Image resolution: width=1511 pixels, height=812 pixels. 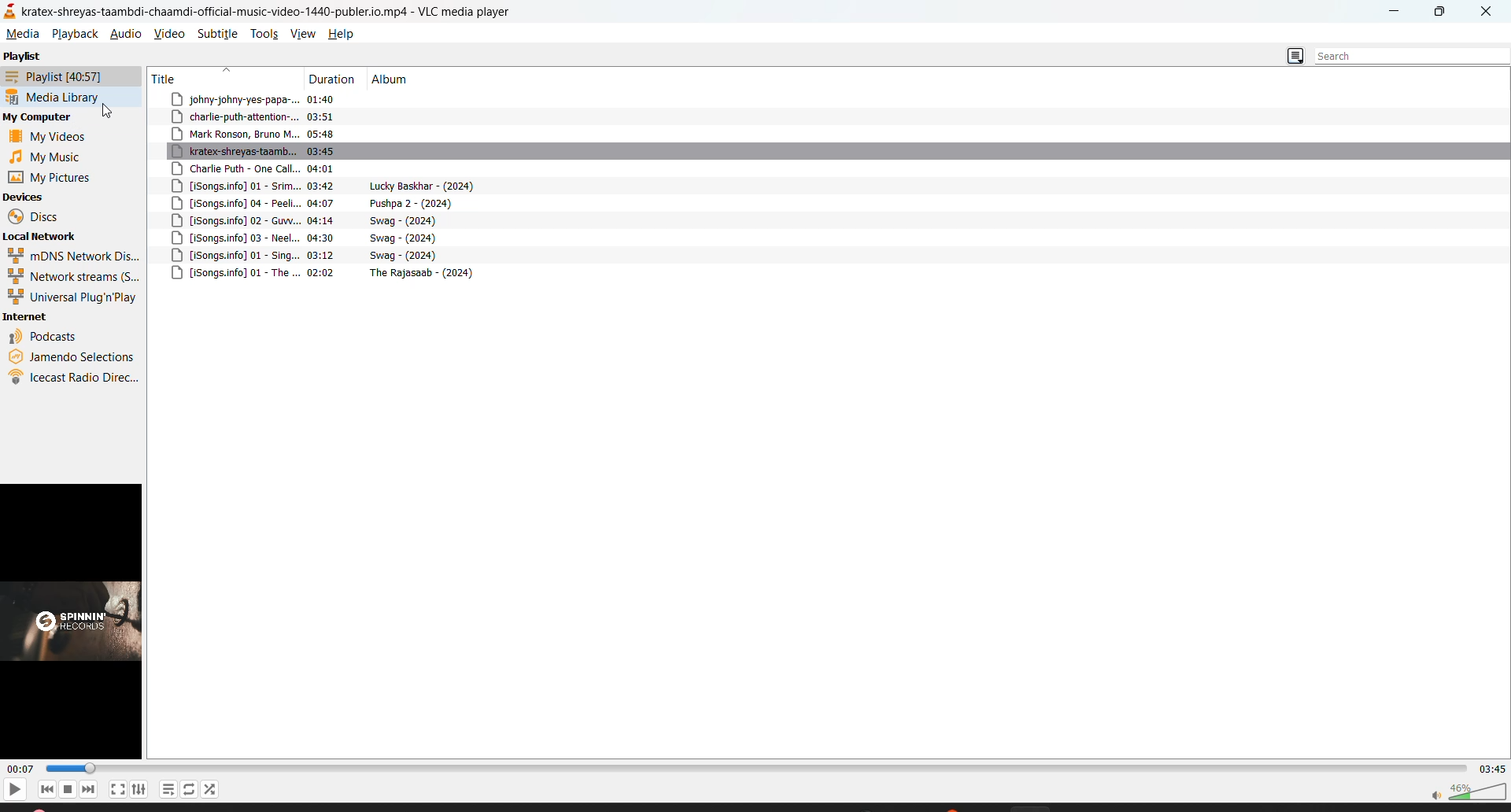 I want to click on help, so click(x=340, y=34).